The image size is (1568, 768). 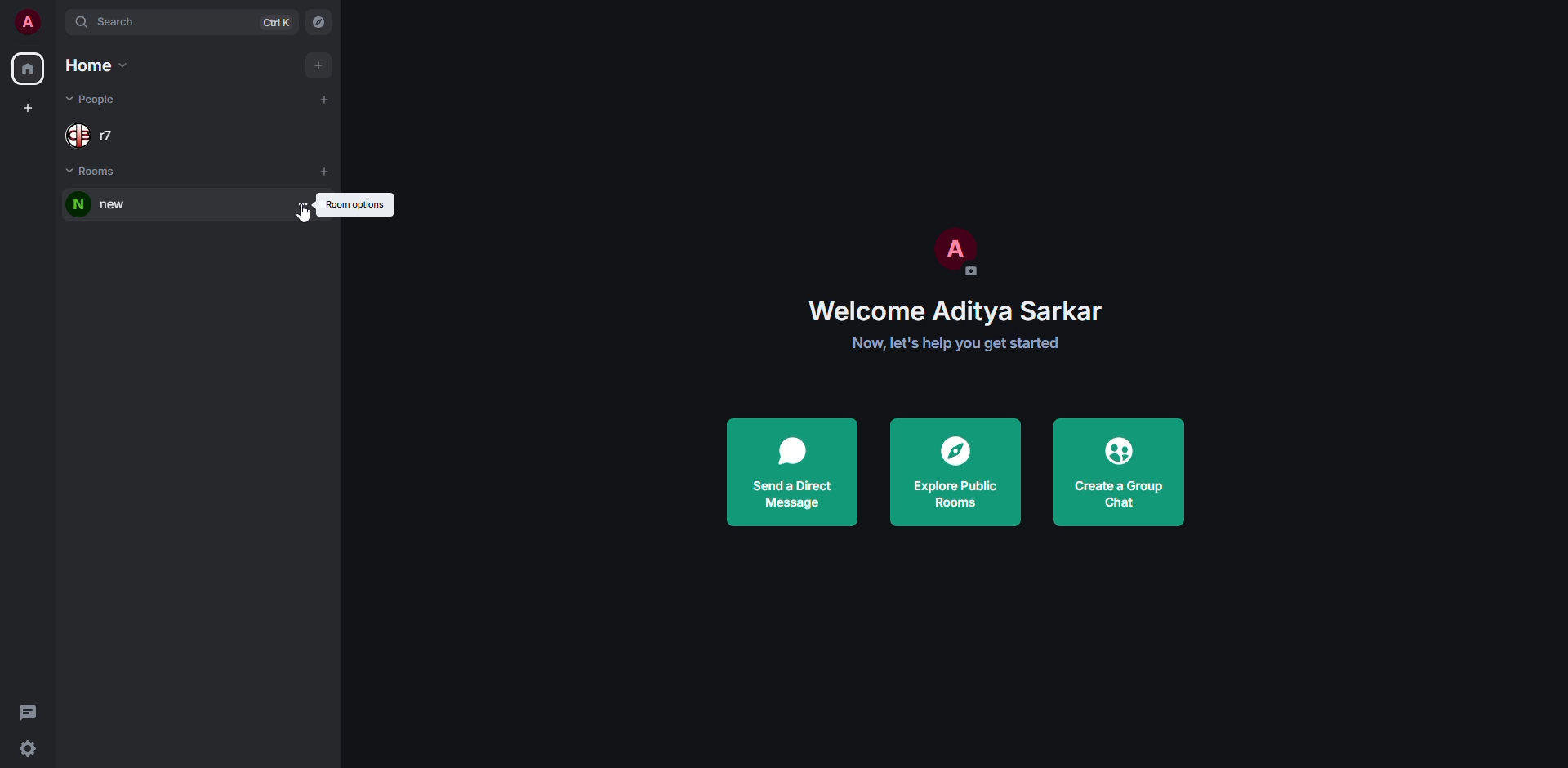 I want to click on room options, so click(x=355, y=203).